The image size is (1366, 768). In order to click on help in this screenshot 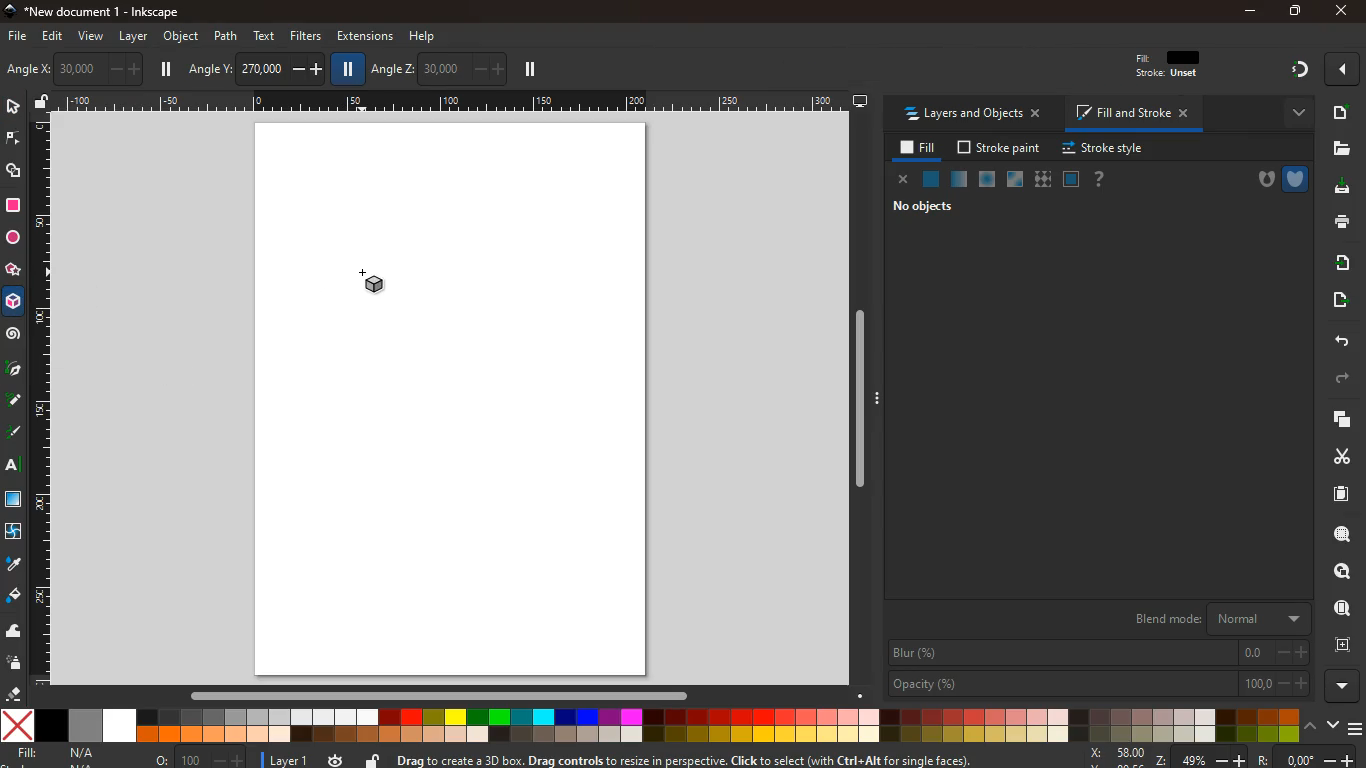, I will do `click(1100, 179)`.